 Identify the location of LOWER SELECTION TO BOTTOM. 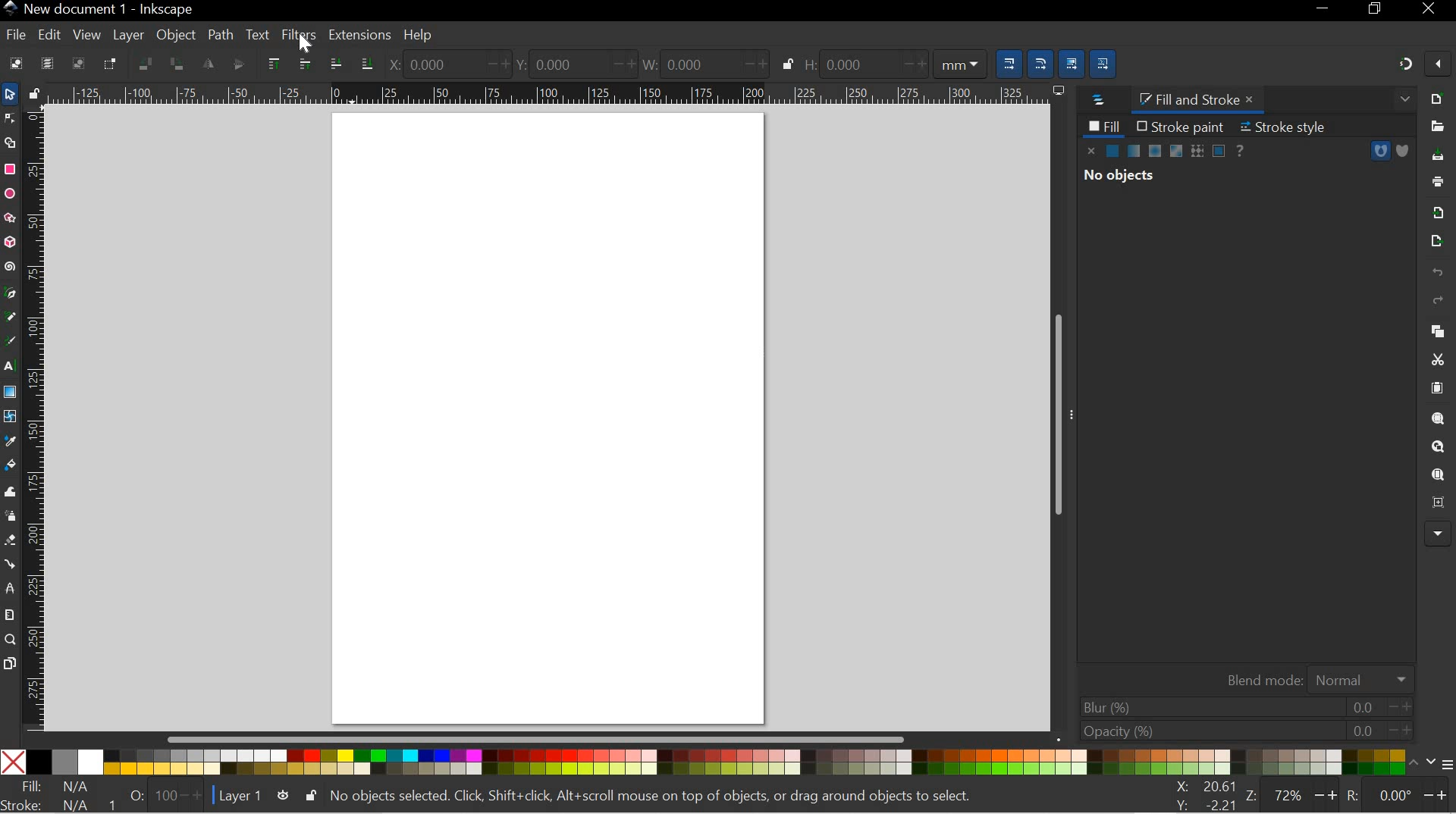
(364, 63).